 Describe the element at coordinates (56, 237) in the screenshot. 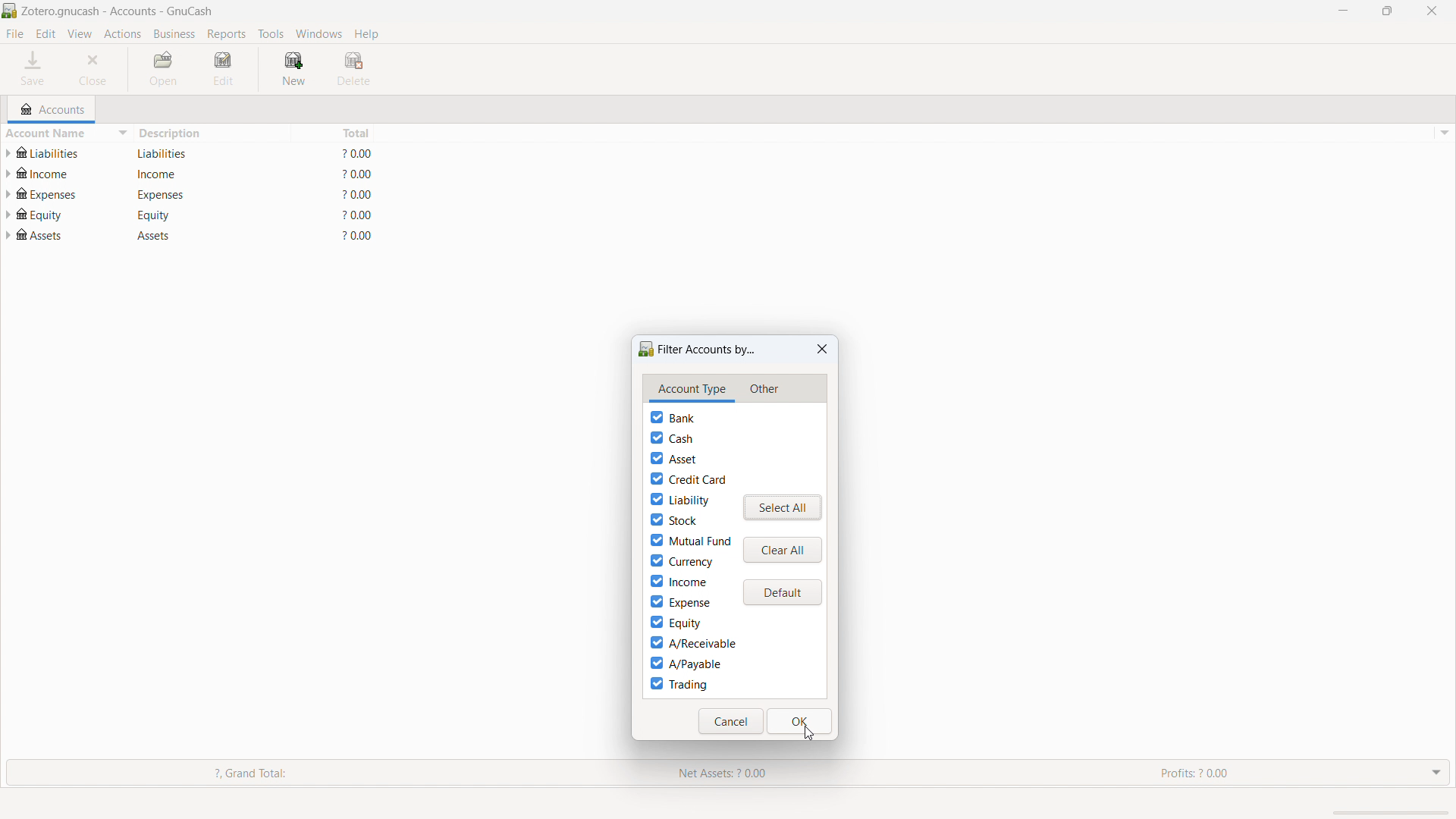

I see `account name` at that location.